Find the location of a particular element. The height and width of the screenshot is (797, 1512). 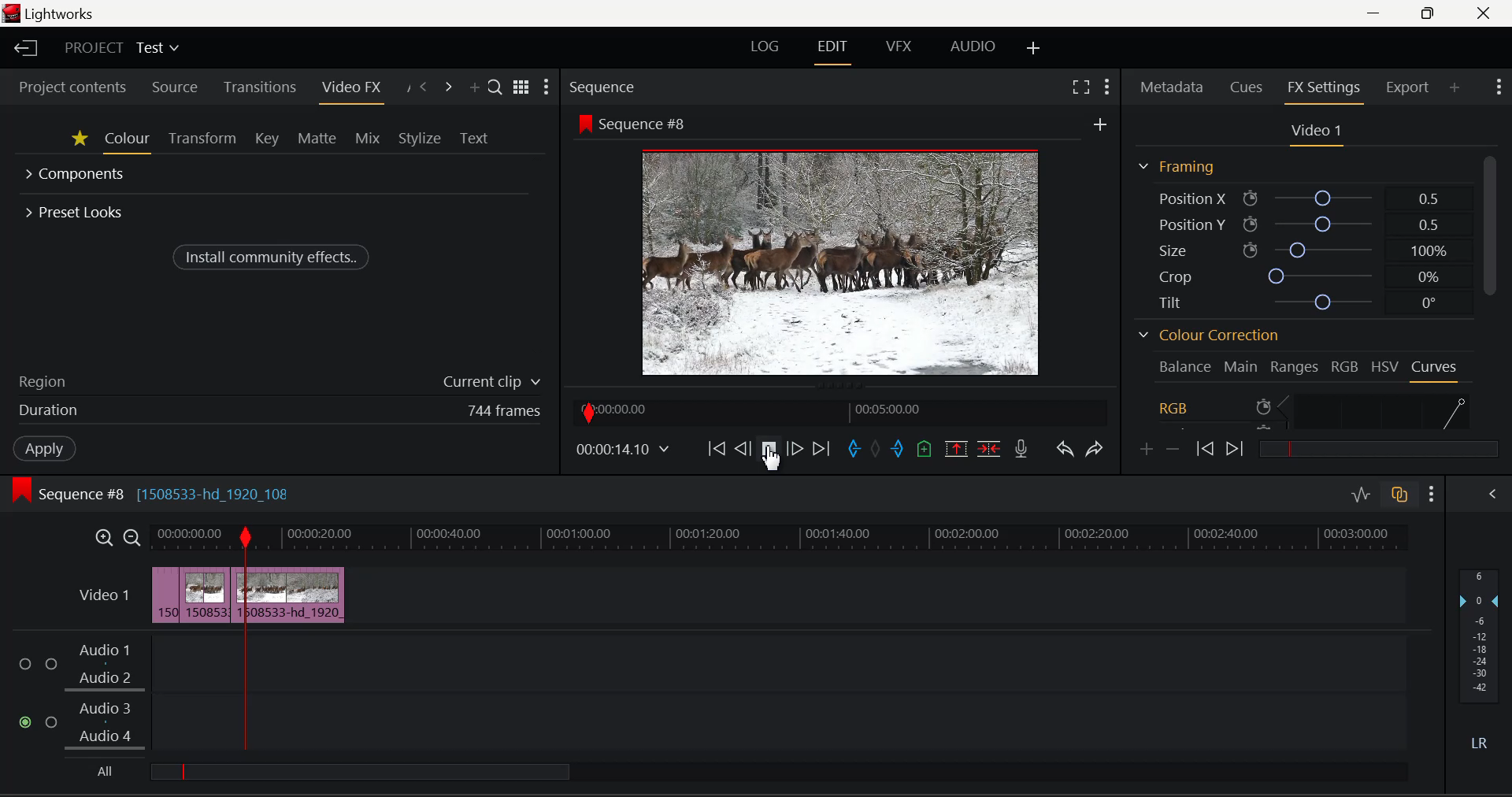

LOG Layout is located at coordinates (765, 47).